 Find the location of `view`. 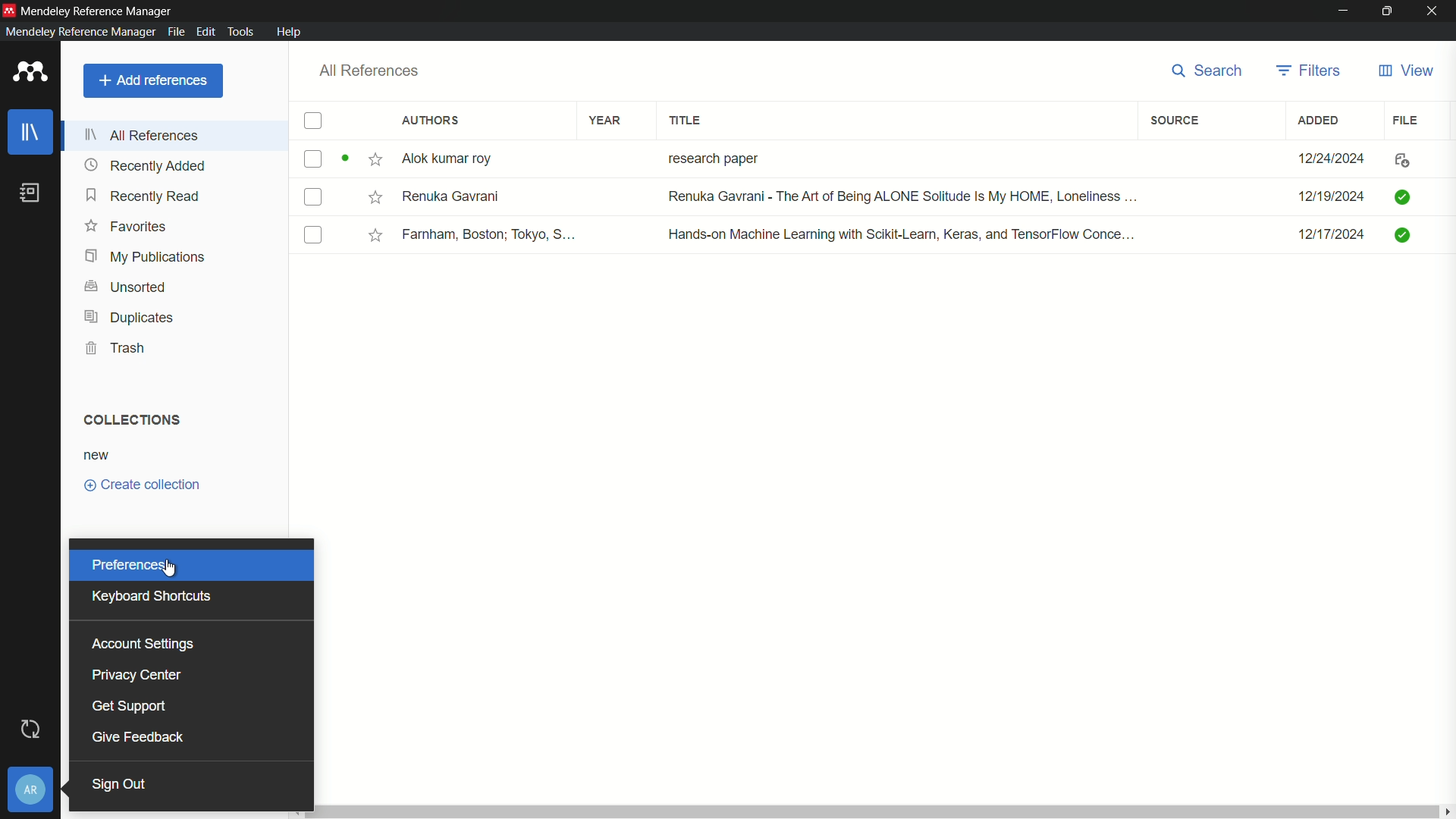

view is located at coordinates (1405, 71).